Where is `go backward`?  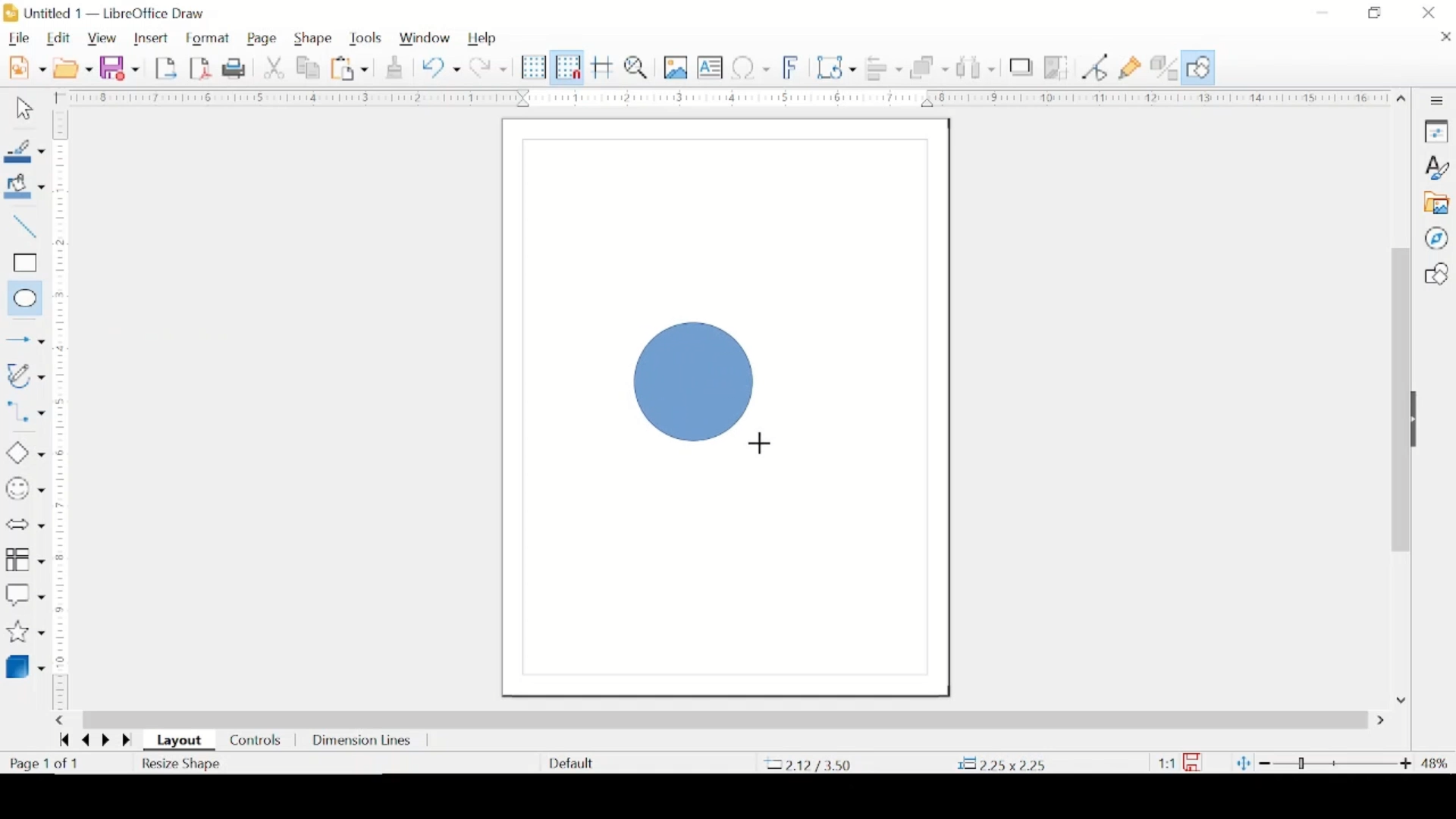 go backward is located at coordinates (61, 742).